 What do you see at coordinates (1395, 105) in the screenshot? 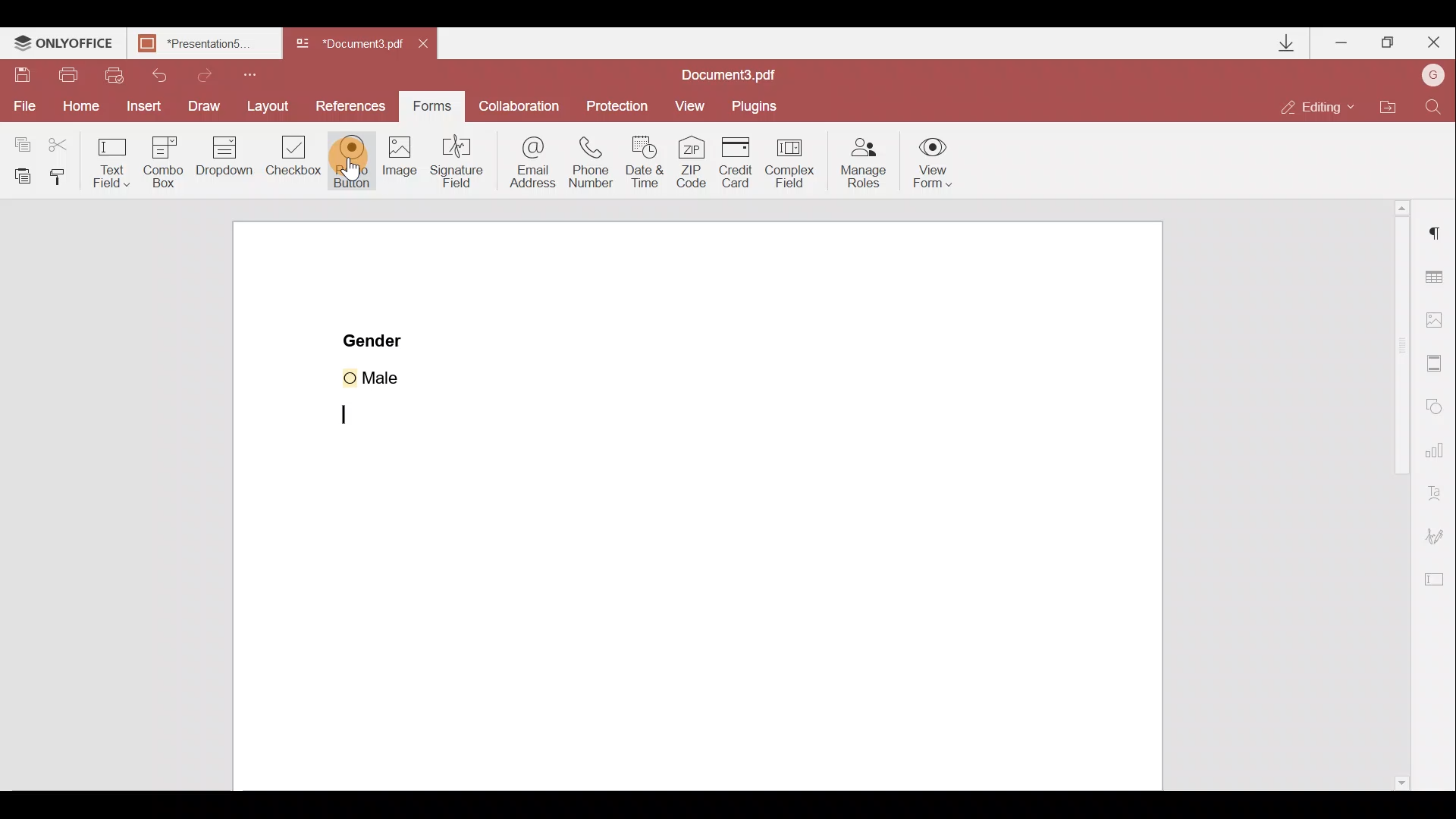
I see `Open file location` at bounding box center [1395, 105].